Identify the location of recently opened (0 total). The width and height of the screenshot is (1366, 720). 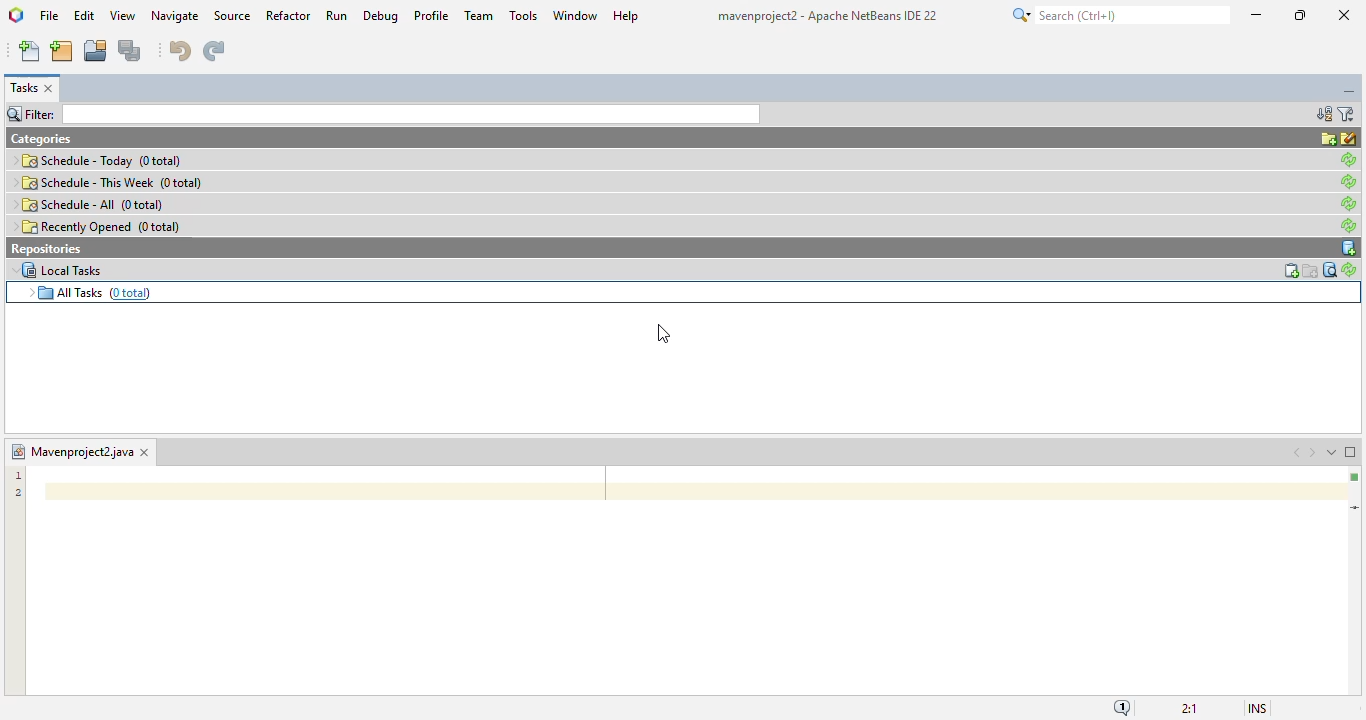
(99, 226).